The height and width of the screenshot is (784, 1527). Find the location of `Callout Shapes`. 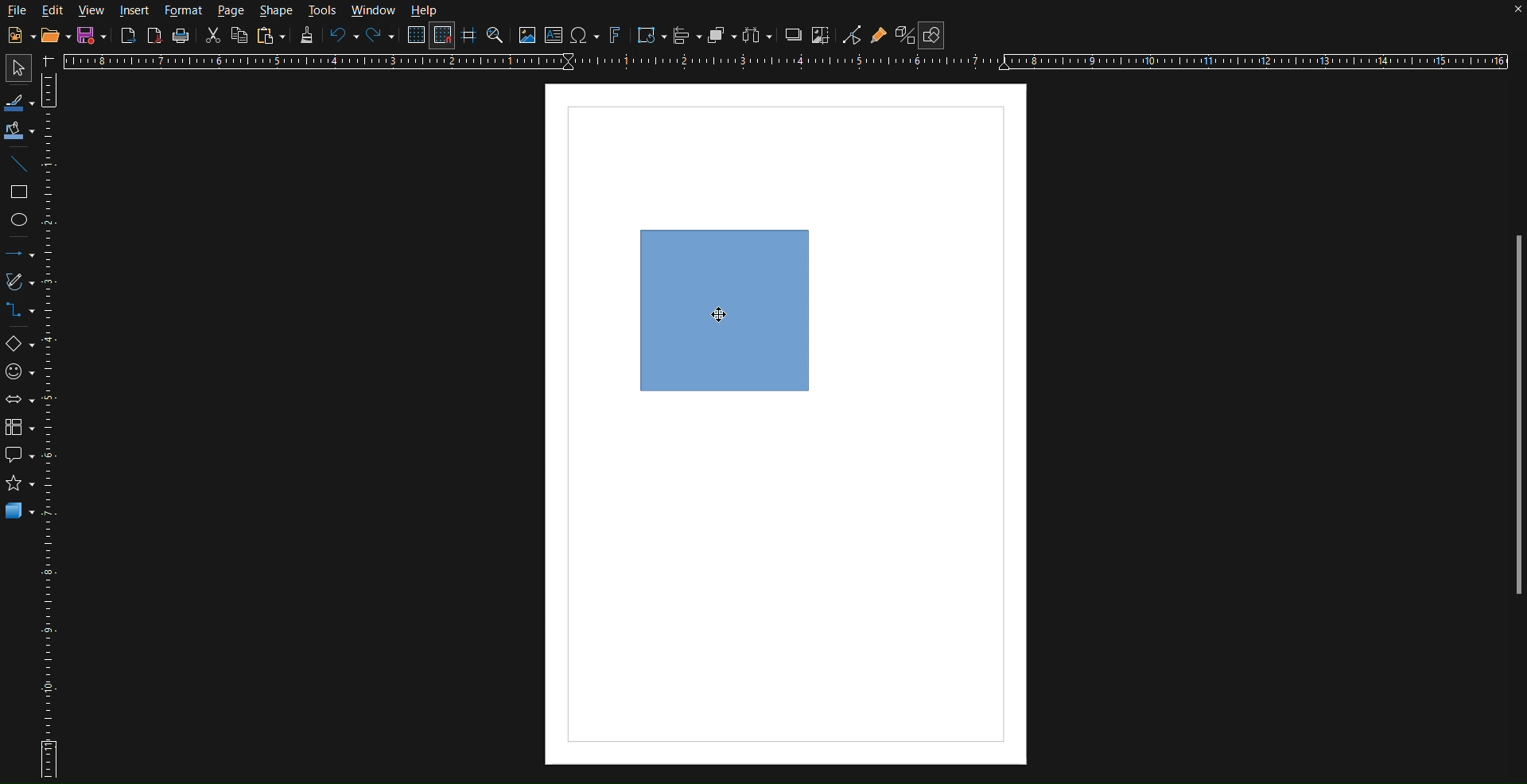

Callout Shapes is located at coordinates (18, 459).